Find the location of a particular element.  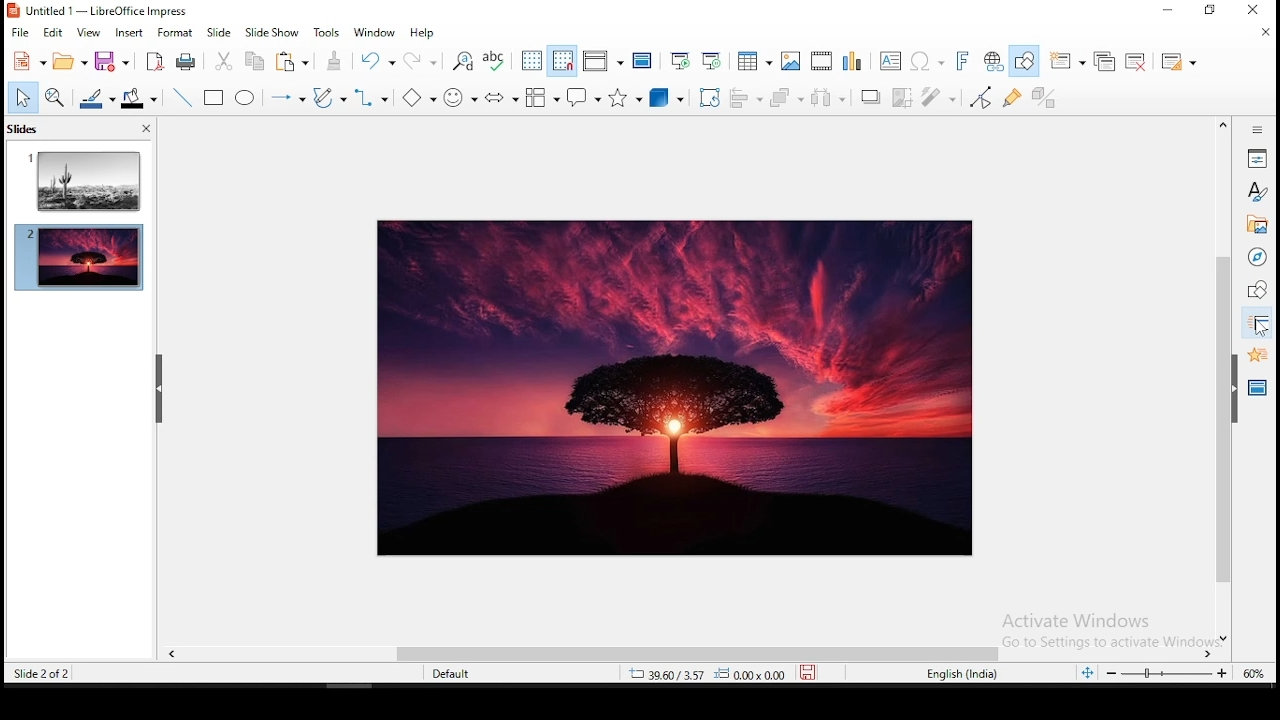

animation is located at coordinates (1255, 355).